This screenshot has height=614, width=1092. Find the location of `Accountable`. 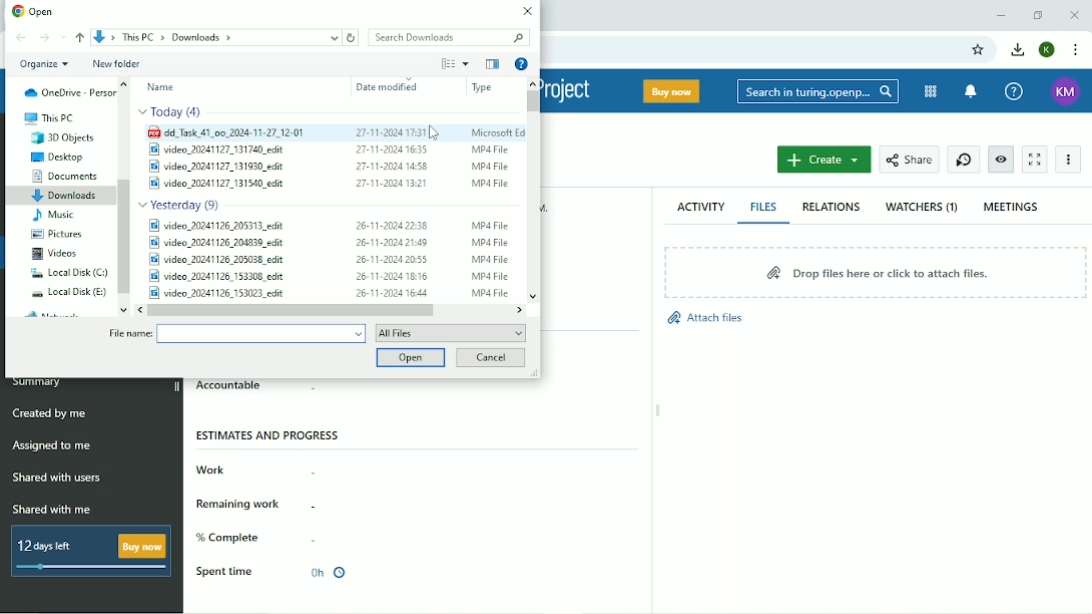

Accountable is located at coordinates (229, 387).